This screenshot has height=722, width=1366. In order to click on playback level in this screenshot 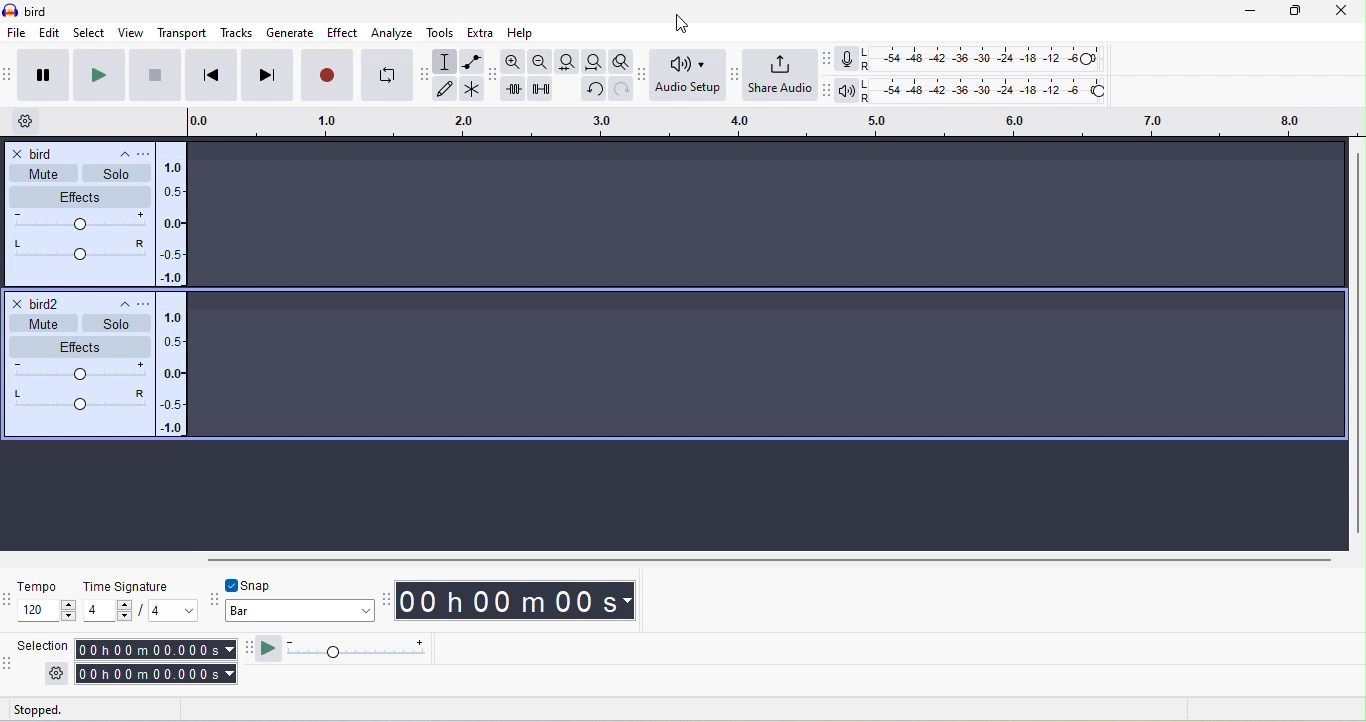, I will do `click(989, 91)`.